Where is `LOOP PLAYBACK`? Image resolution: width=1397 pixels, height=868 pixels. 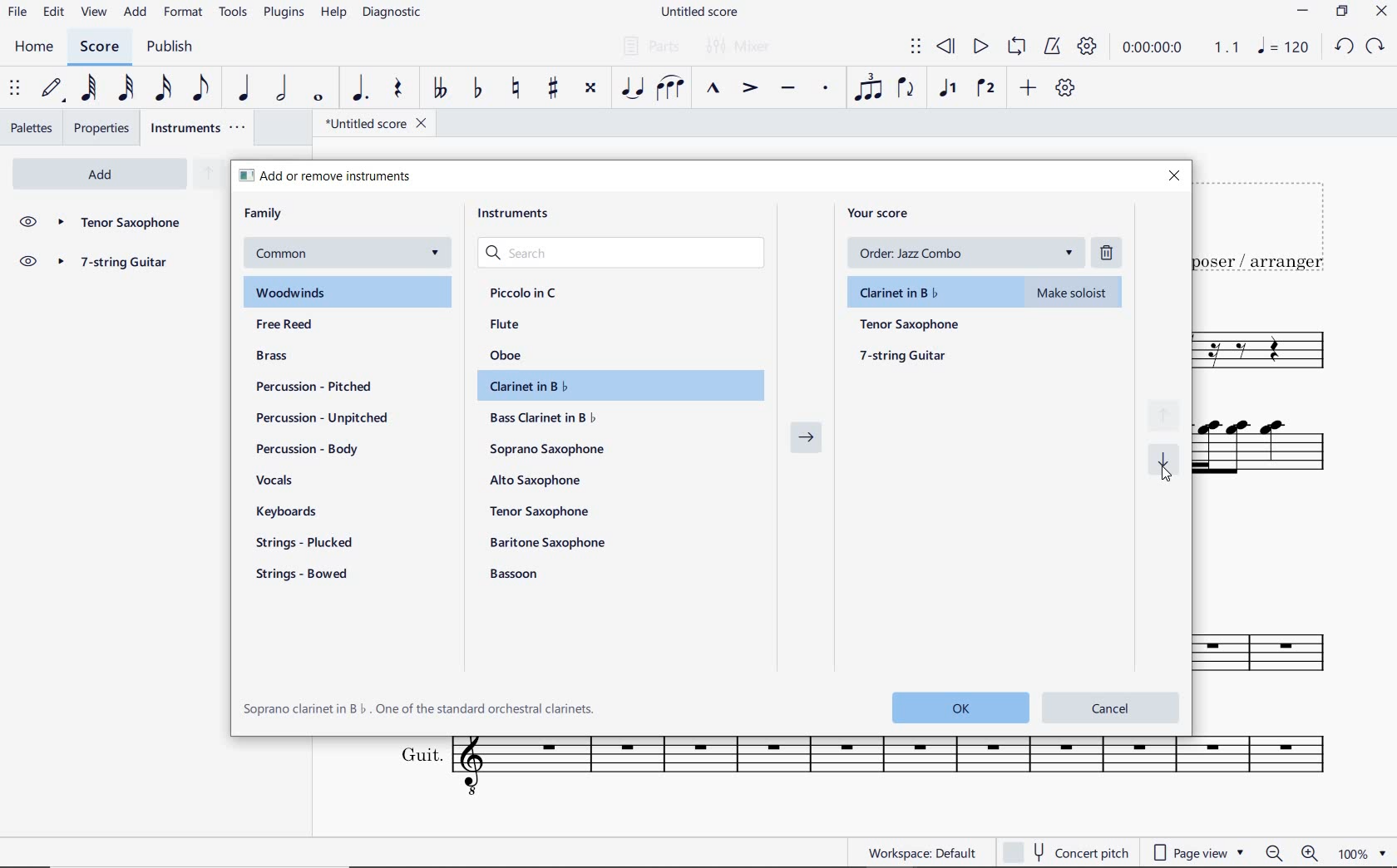 LOOP PLAYBACK is located at coordinates (1014, 47).